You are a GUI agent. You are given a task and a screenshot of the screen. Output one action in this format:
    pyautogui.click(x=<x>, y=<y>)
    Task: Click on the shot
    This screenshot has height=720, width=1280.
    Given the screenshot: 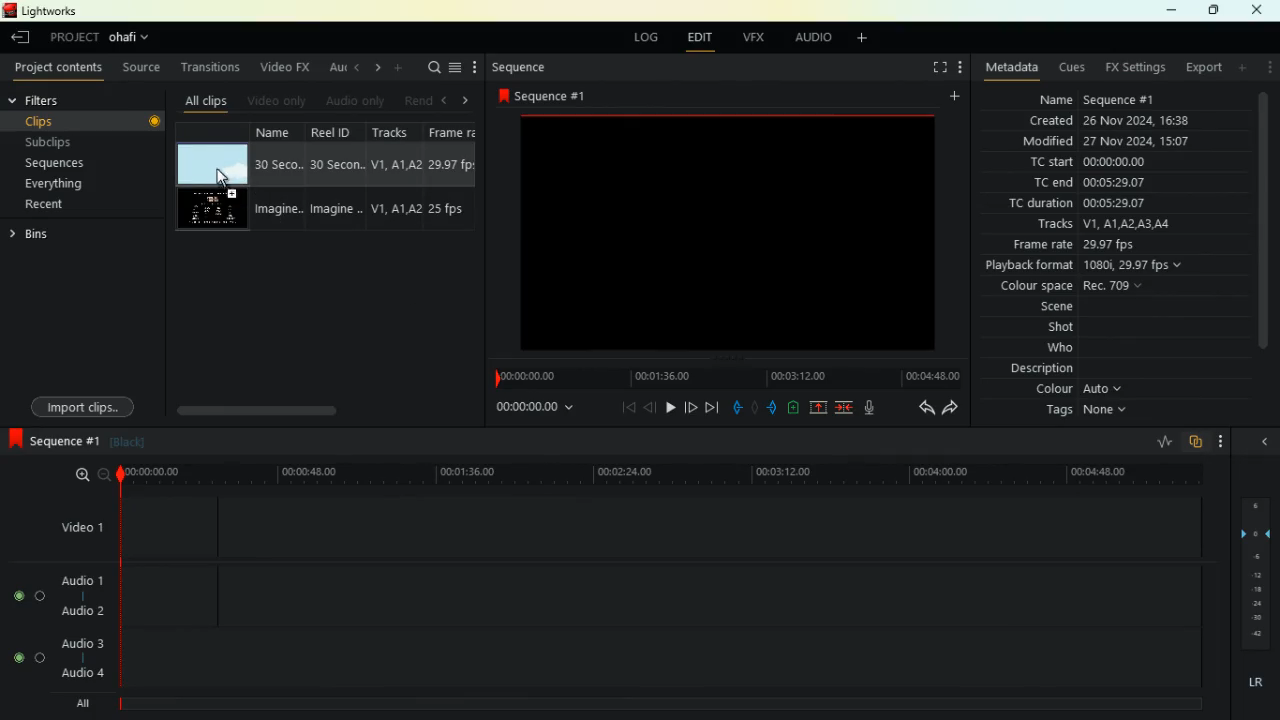 What is the action you would take?
    pyautogui.click(x=1052, y=329)
    